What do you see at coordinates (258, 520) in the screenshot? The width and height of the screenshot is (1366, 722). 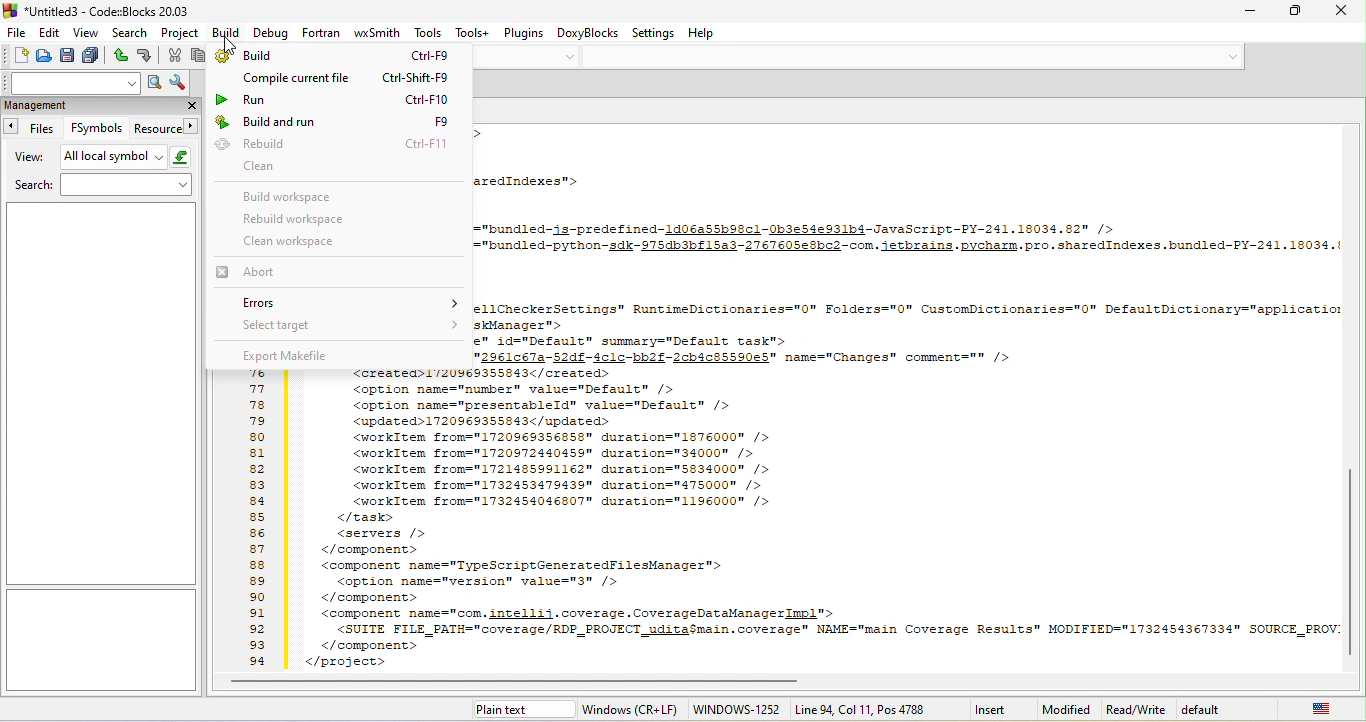 I see `Numbers` at bounding box center [258, 520].